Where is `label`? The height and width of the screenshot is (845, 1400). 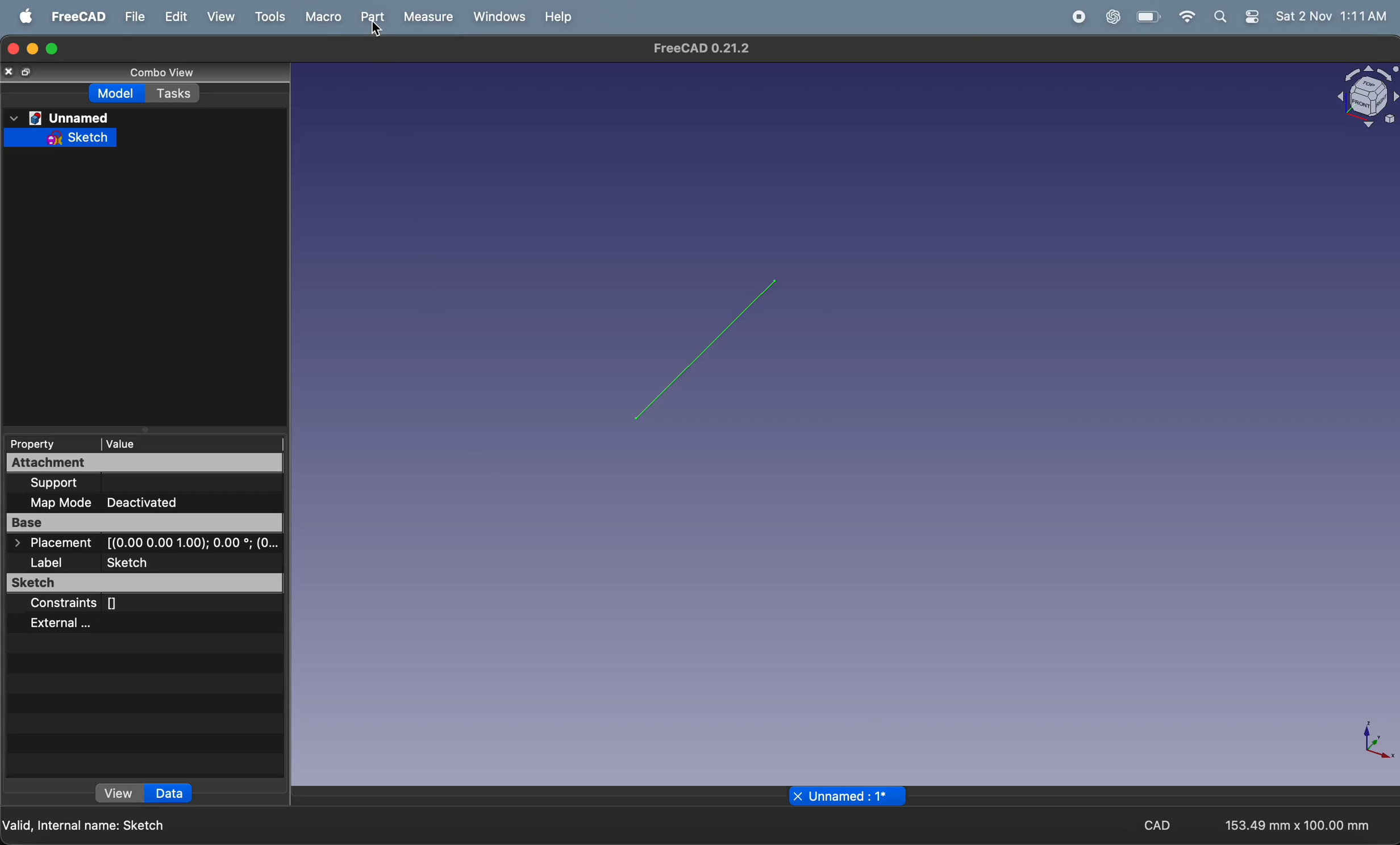
label is located at coordinates (46, 562).